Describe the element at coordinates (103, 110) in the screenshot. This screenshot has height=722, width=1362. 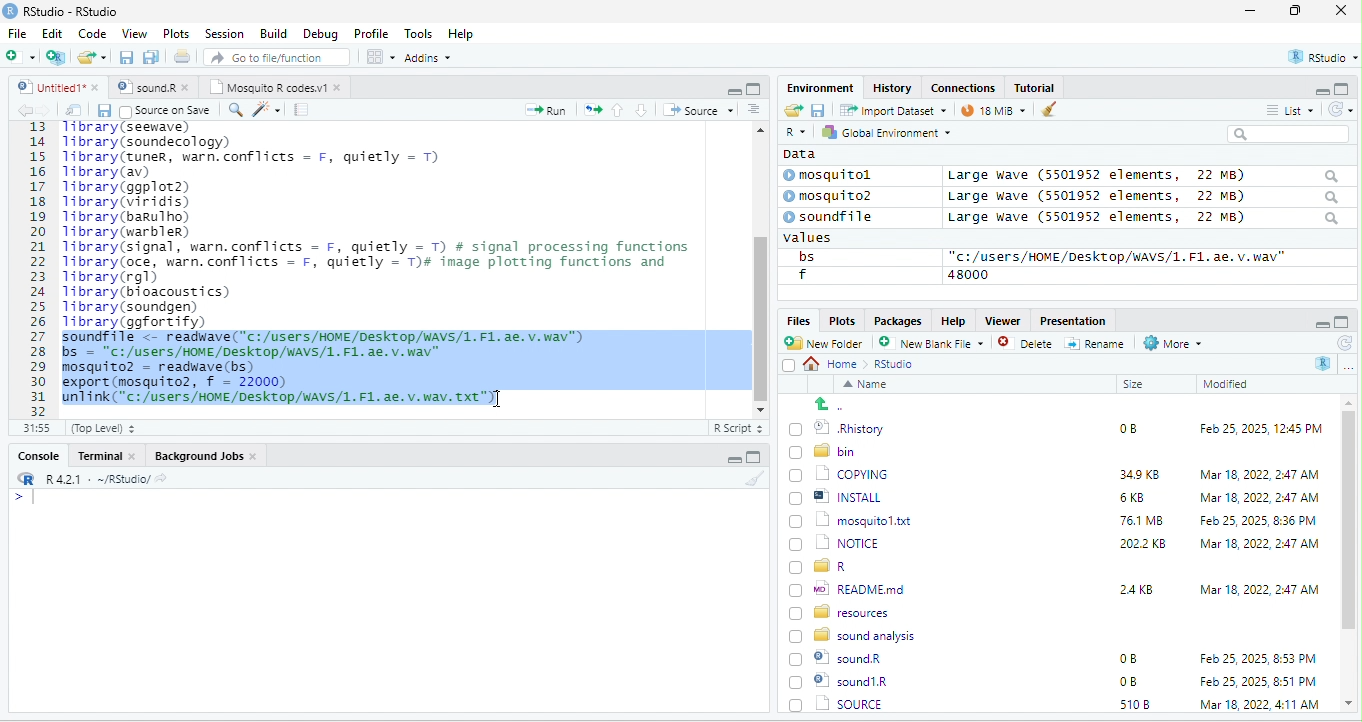
I see `save` at that location.